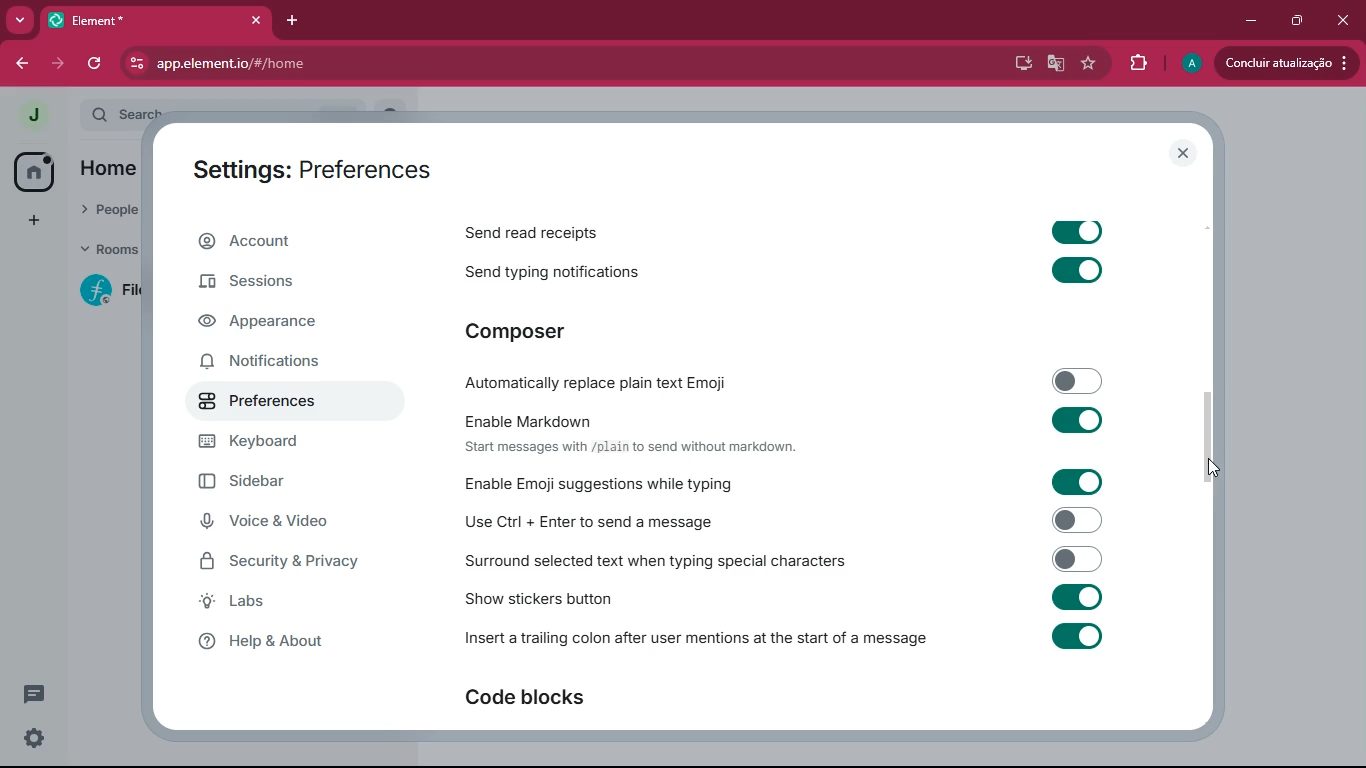  What do you see at coordinates (779, 595) in the screenshot?
I see `show stickers button` at bounding box center [779, 595].